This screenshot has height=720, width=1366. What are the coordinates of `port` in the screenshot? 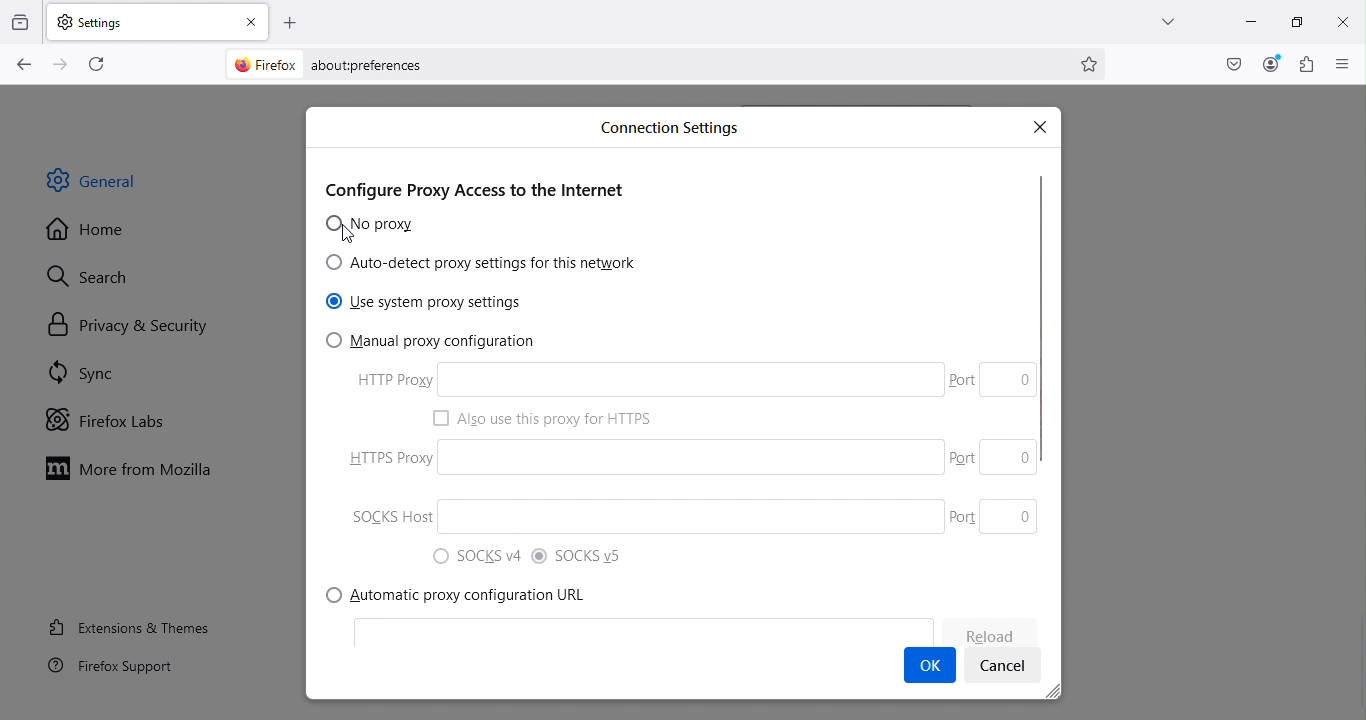 It's located at (963, 378).